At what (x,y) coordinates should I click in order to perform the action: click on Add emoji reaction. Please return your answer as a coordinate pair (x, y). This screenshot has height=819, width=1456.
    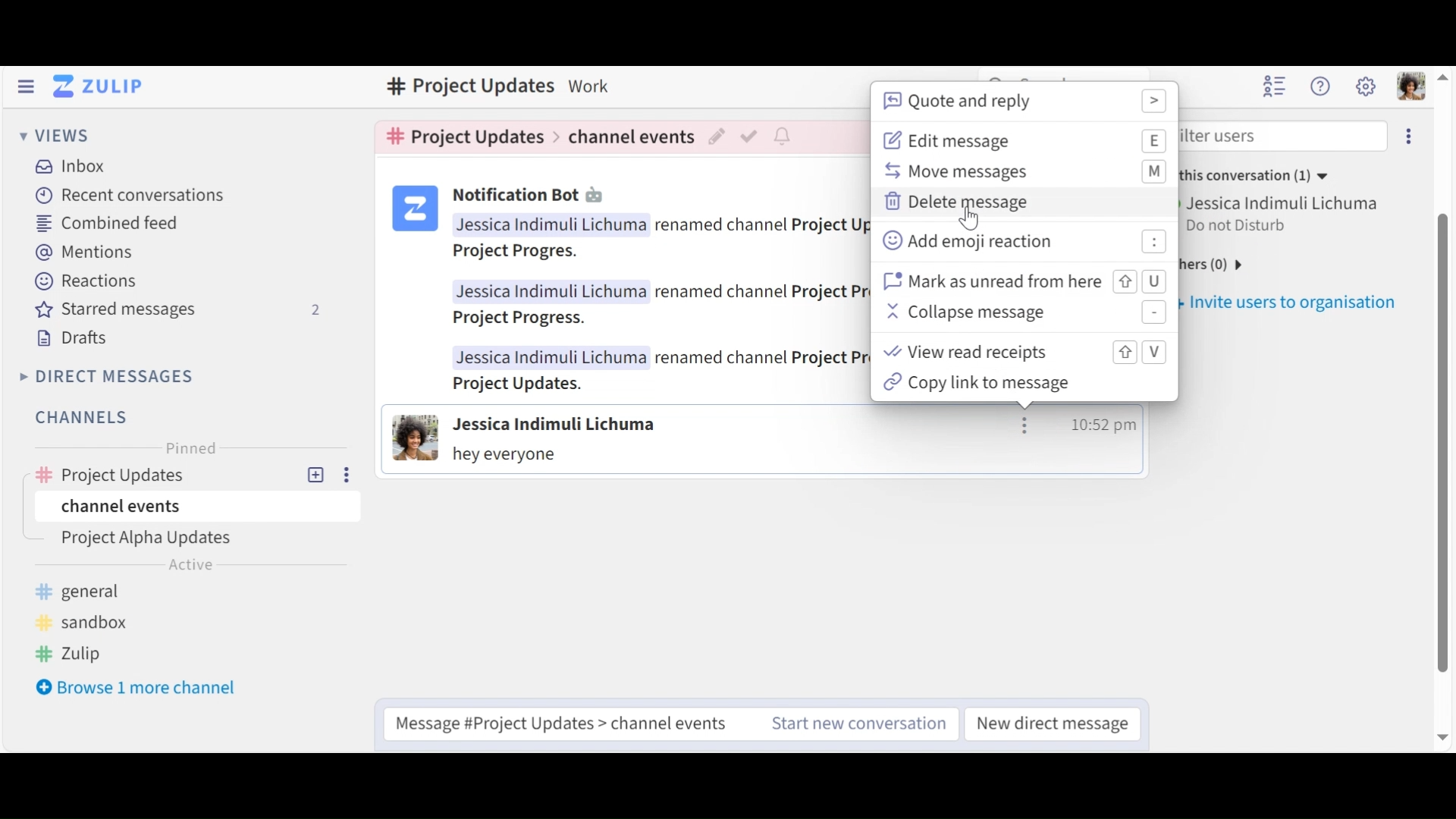
    Looking at the image, I should click on (1025, 241).